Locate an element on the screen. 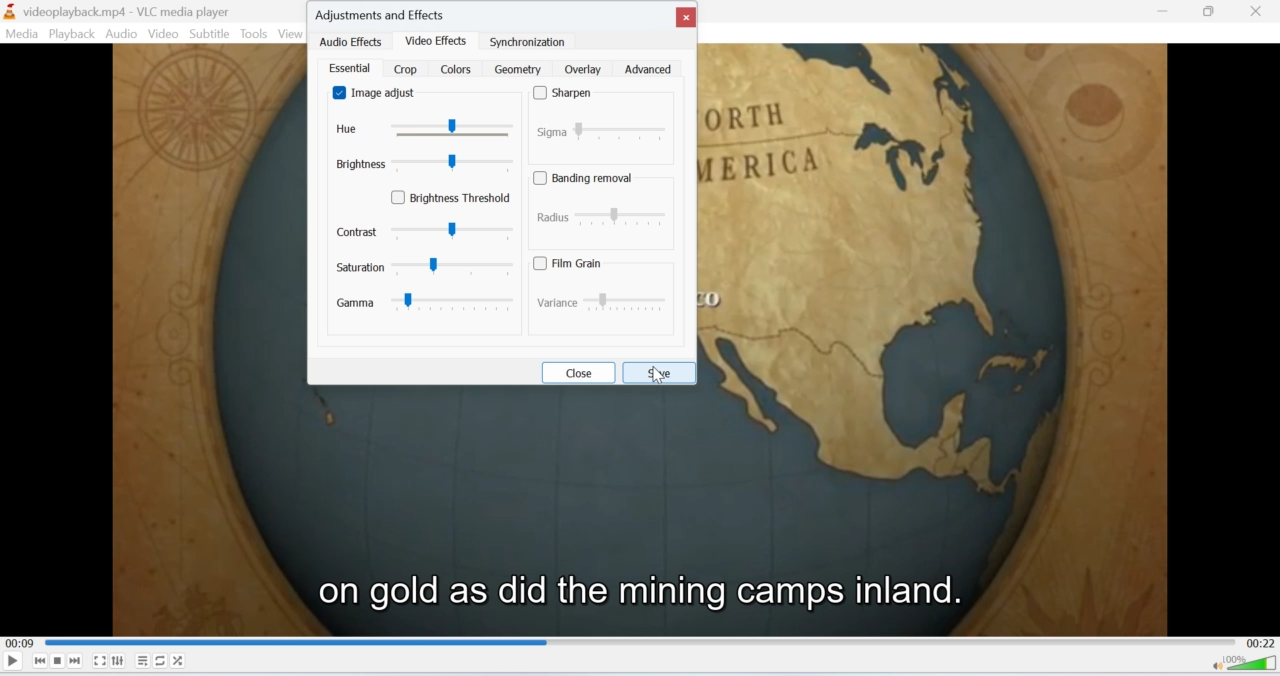 Image resolution: width=1280 pixels, height=676 pixels. close is located at coordinates (686, 17).